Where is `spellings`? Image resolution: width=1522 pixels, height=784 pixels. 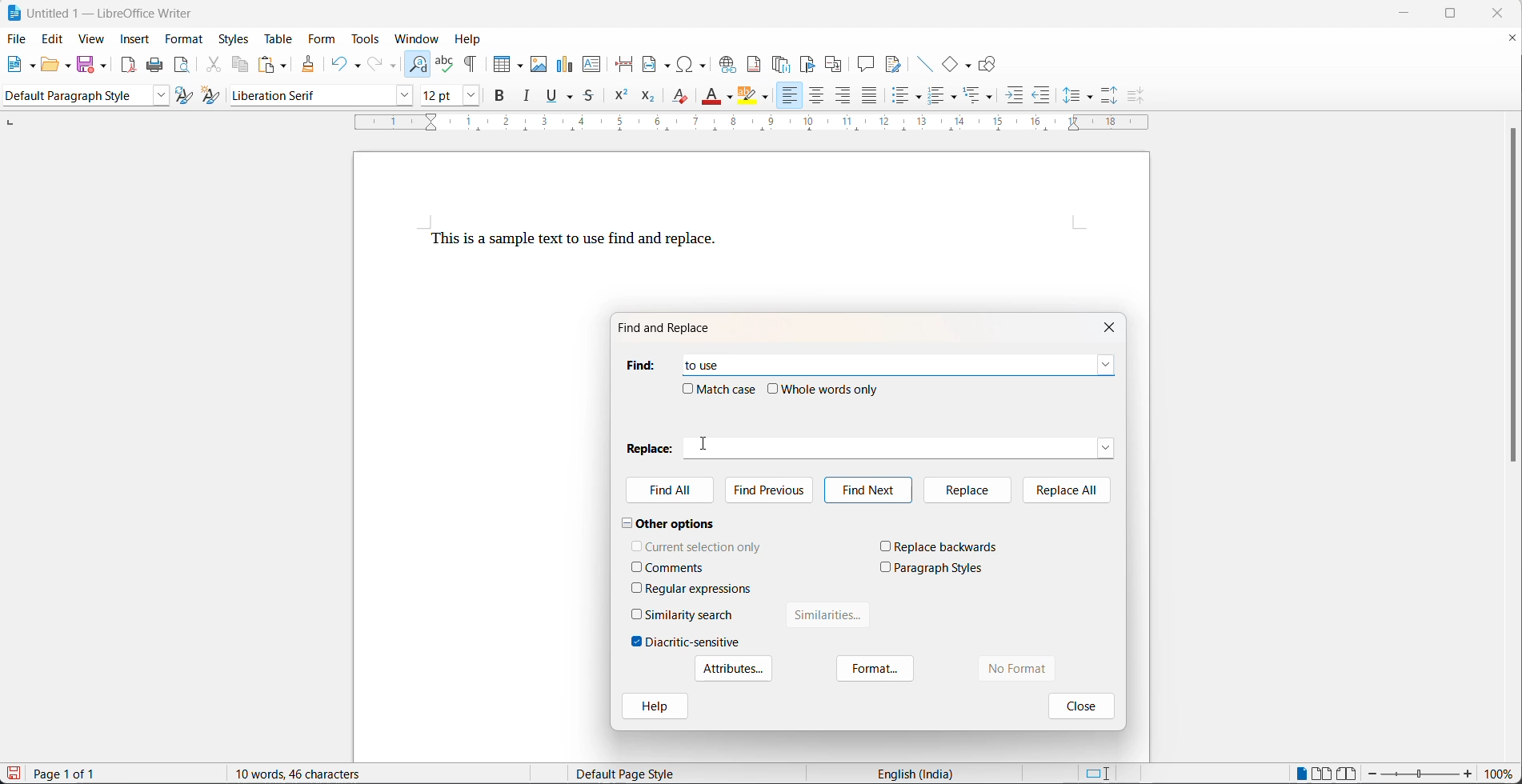 spellings is located at coordinates (445, 59).